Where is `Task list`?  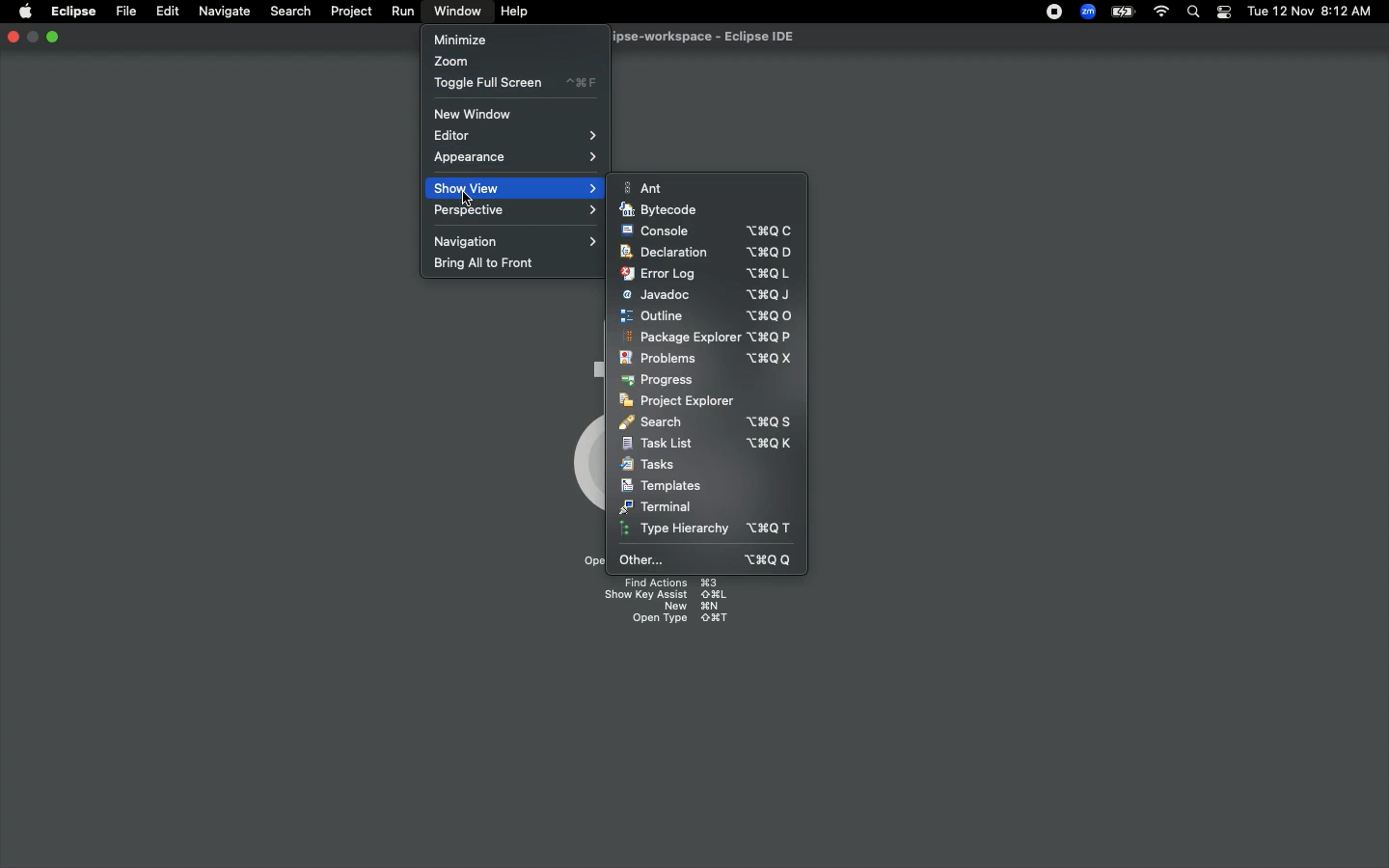
Task list is located at coordinates (708, 443).